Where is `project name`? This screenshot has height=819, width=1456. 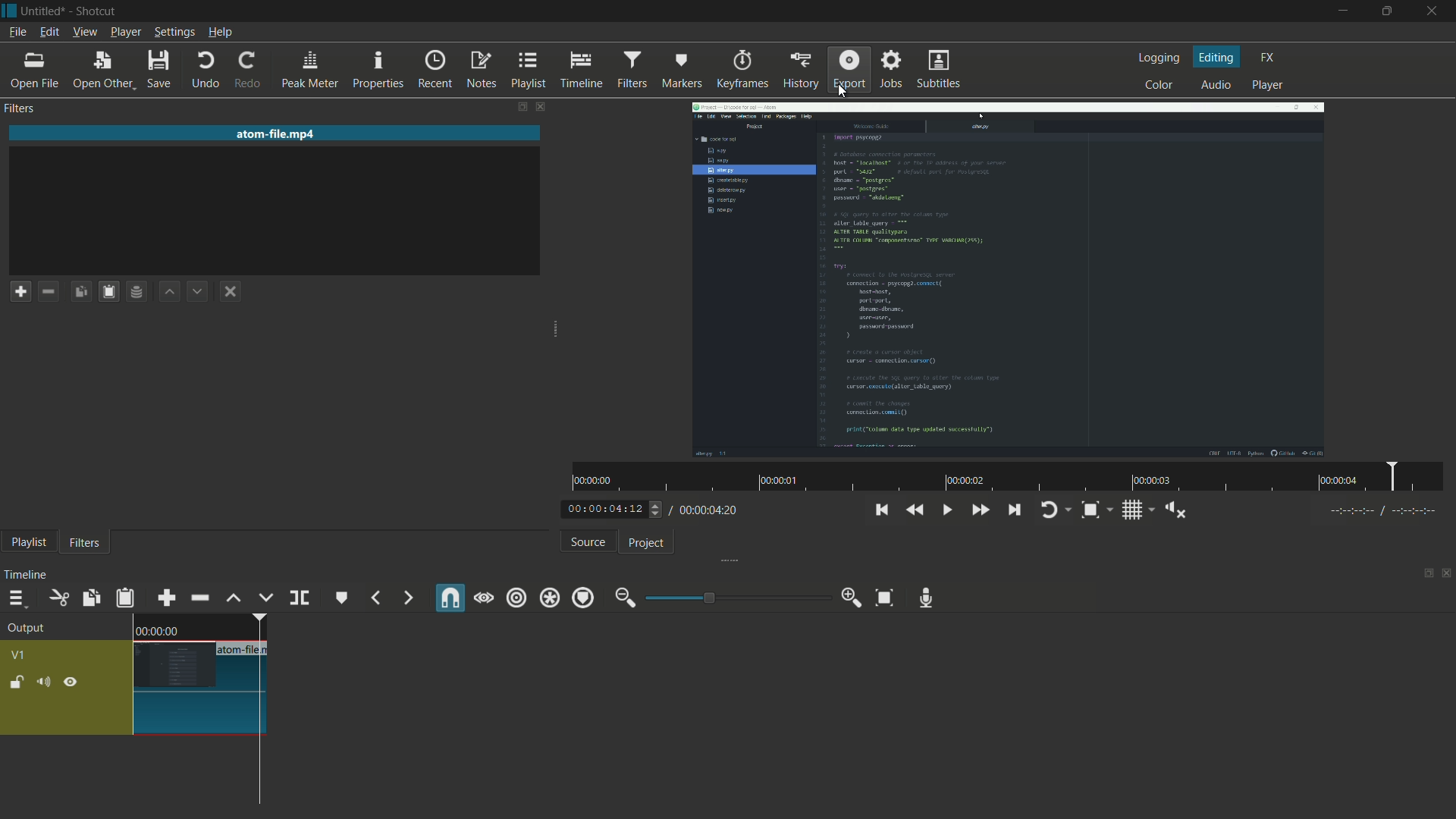
project name is located at coordinates (43, 11).